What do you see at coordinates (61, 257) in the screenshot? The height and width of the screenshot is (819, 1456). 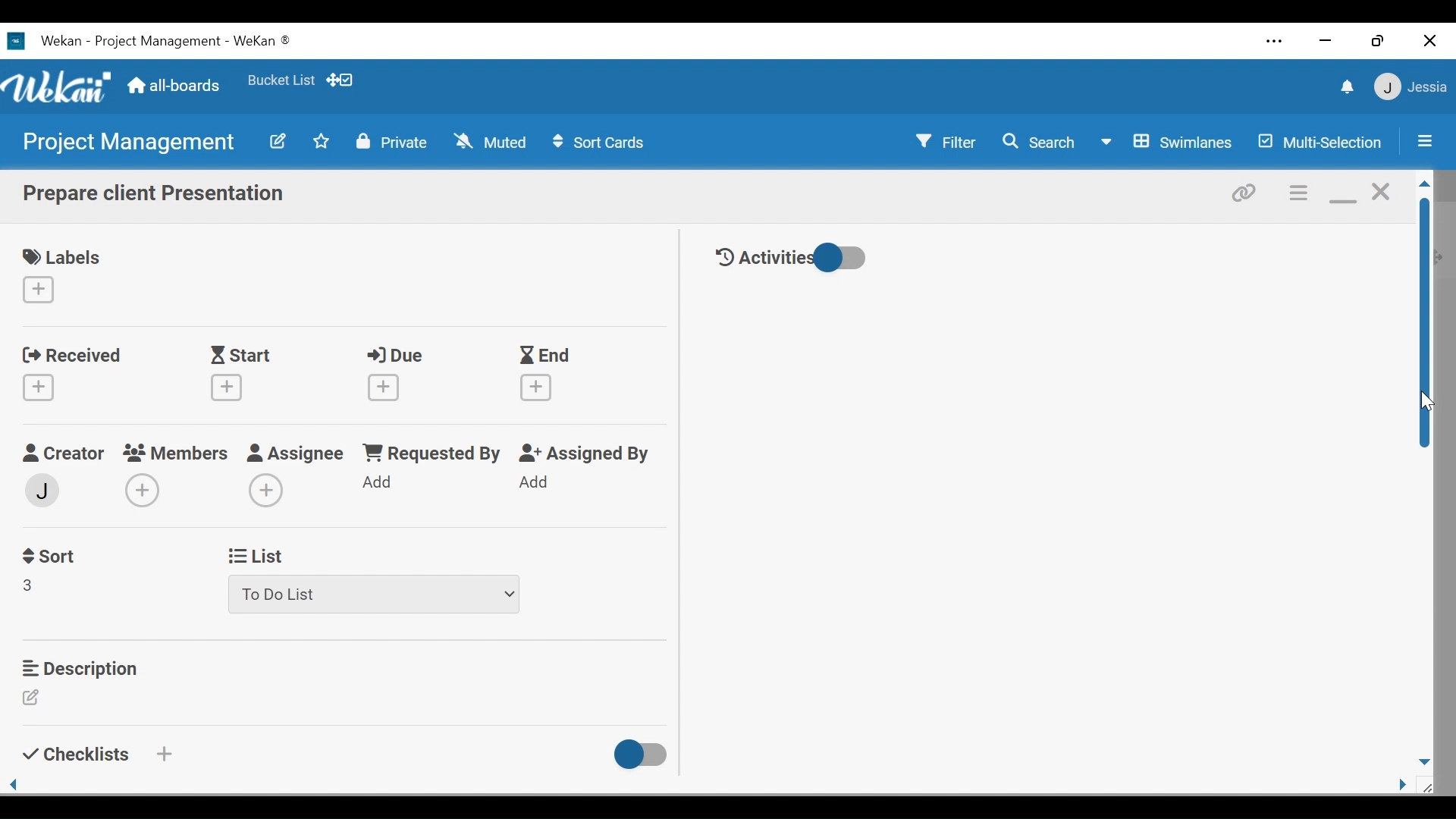 I see `Labels` at bounding box center [61, 257].